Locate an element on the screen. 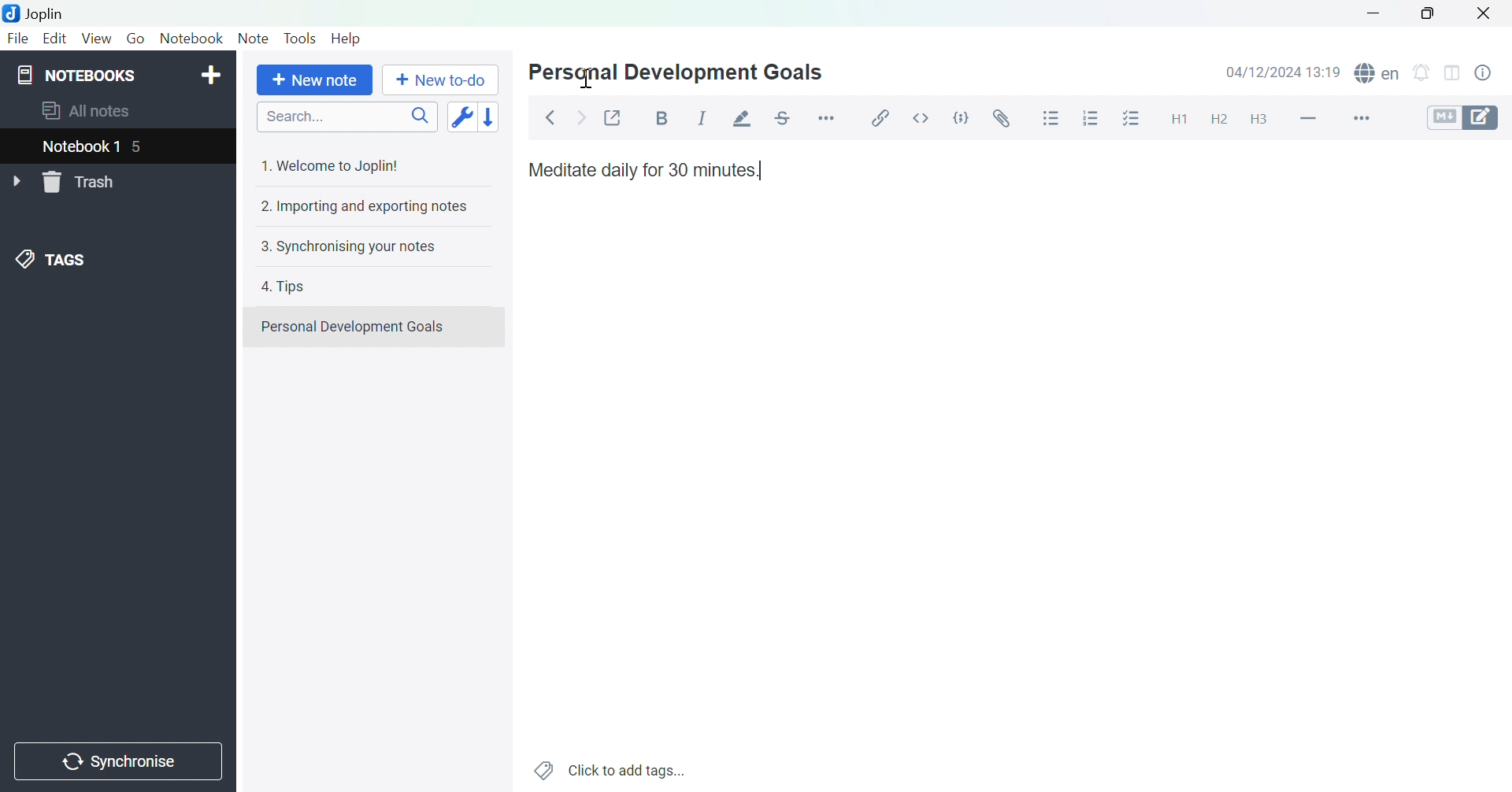 The width and height of the screenshot is (1512, 792). Horizontal is located at coordinates (828, 117).